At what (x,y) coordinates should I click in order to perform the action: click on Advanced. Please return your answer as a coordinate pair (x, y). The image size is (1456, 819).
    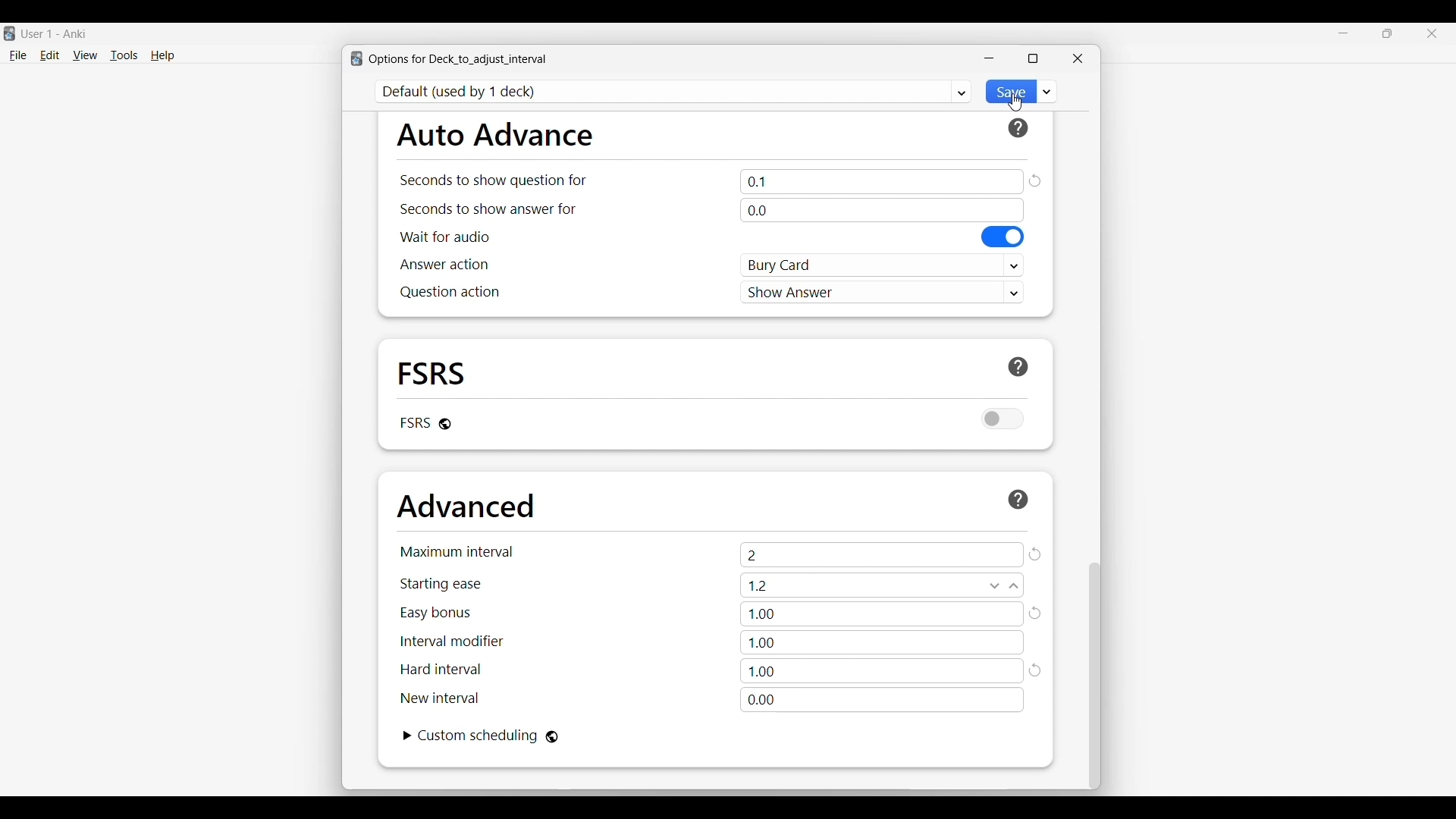
    Looking at the image, I should click on (466, 506).